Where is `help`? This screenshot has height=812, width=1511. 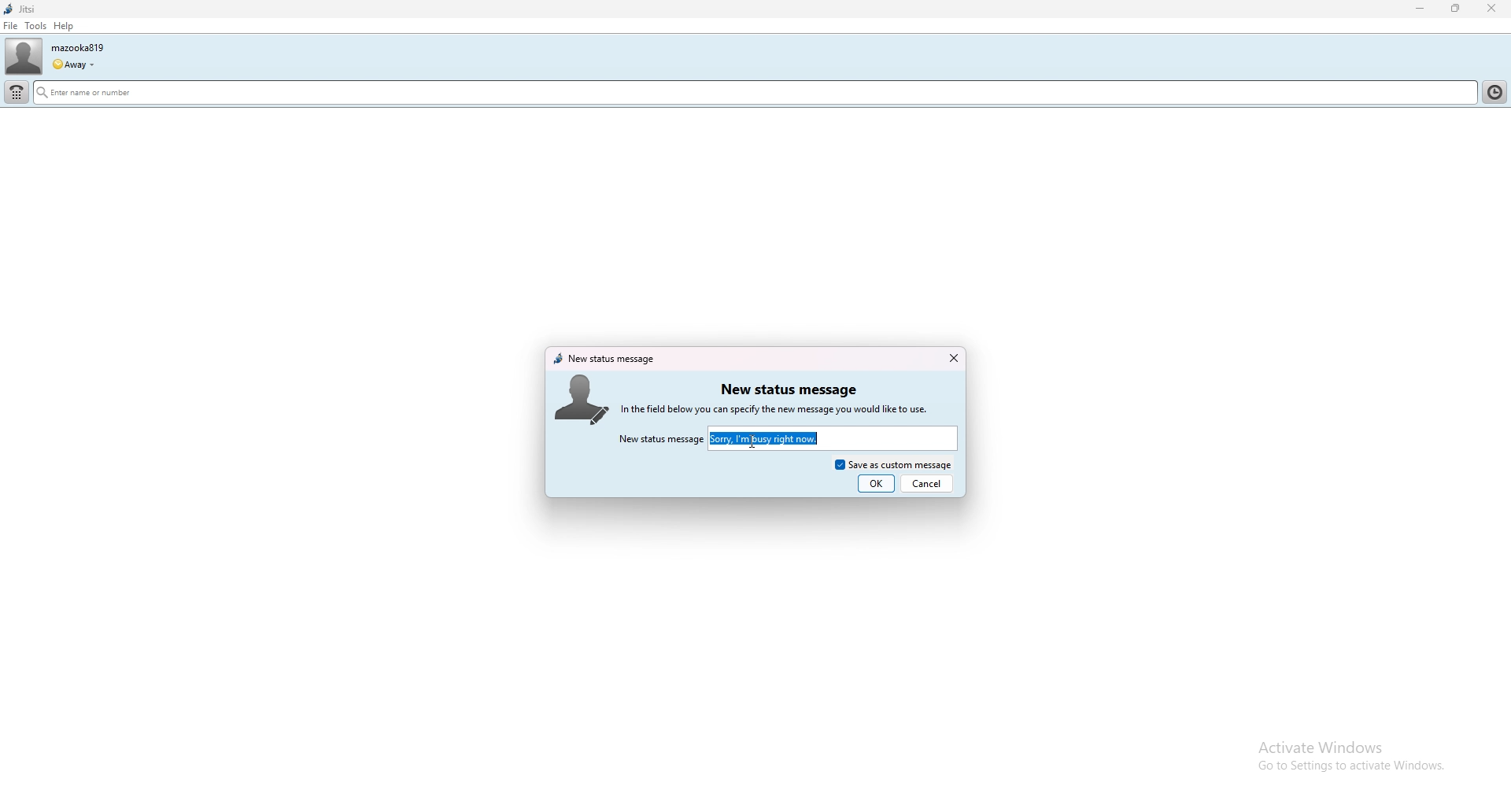
help is located at coordinates (63, 26).